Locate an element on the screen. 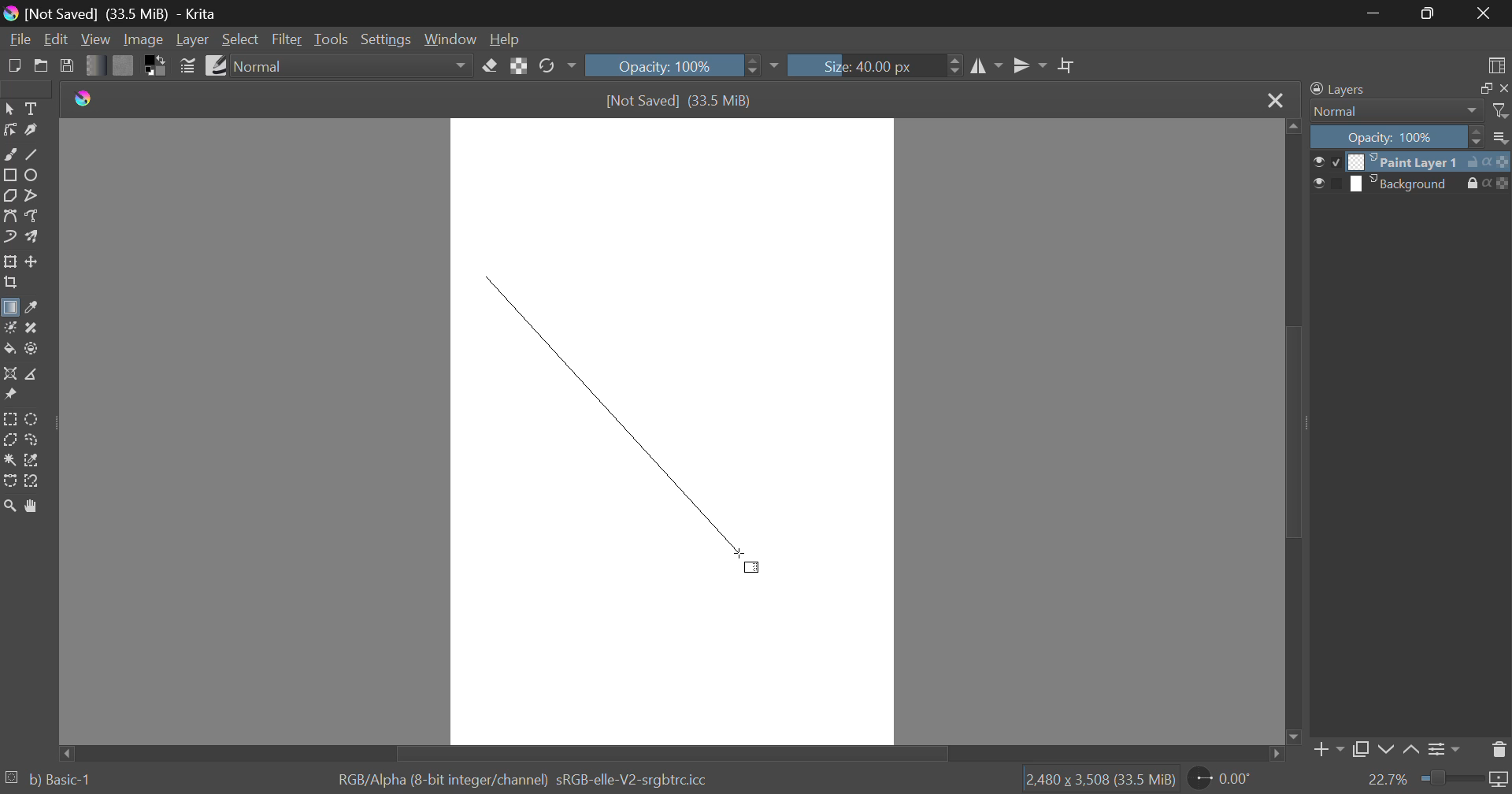 The width and height of the screenshot is (1512, 794). full screen is located at coordinates (1481, 89).